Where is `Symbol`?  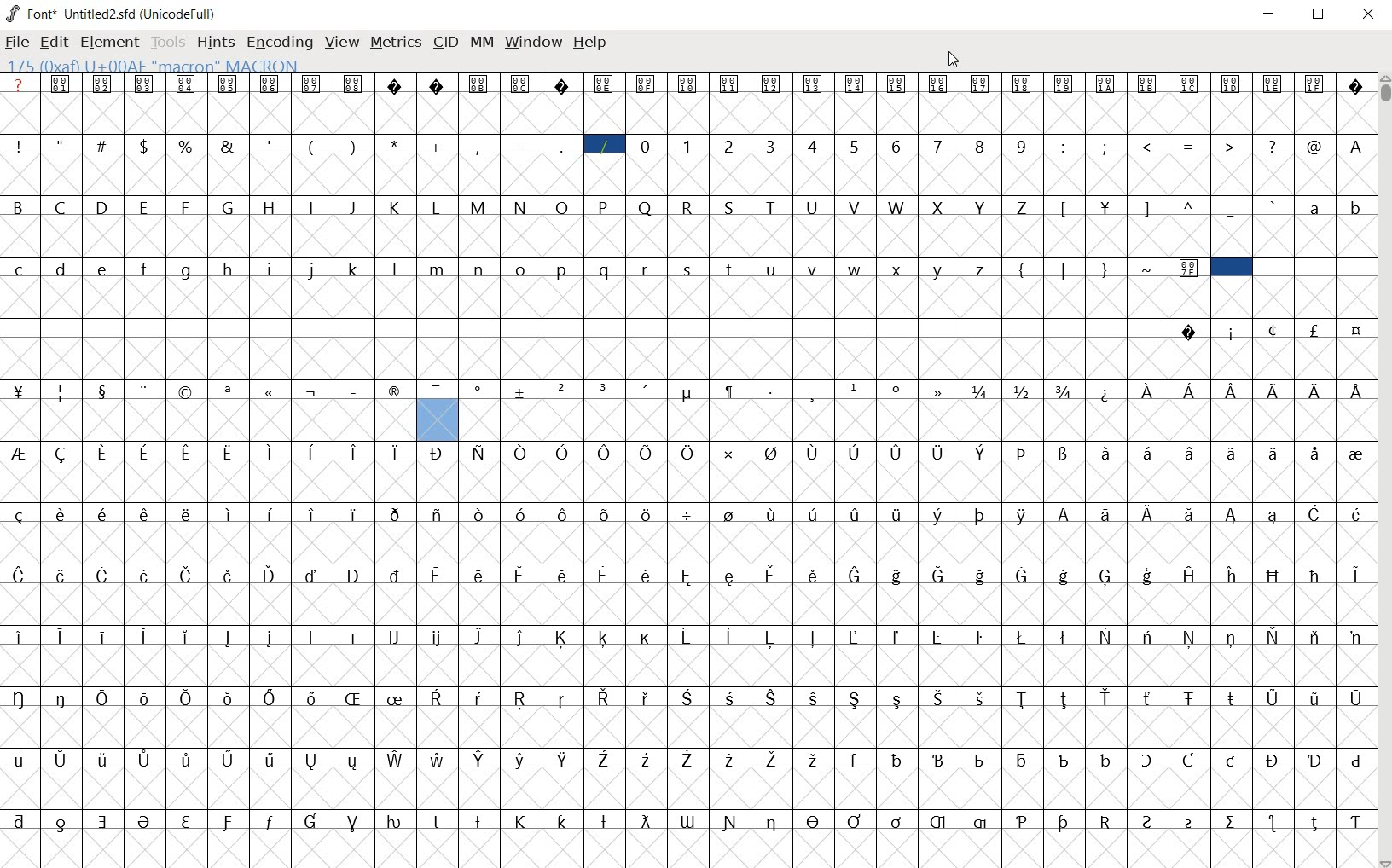
Symbol is located at coordinates (188, 452).